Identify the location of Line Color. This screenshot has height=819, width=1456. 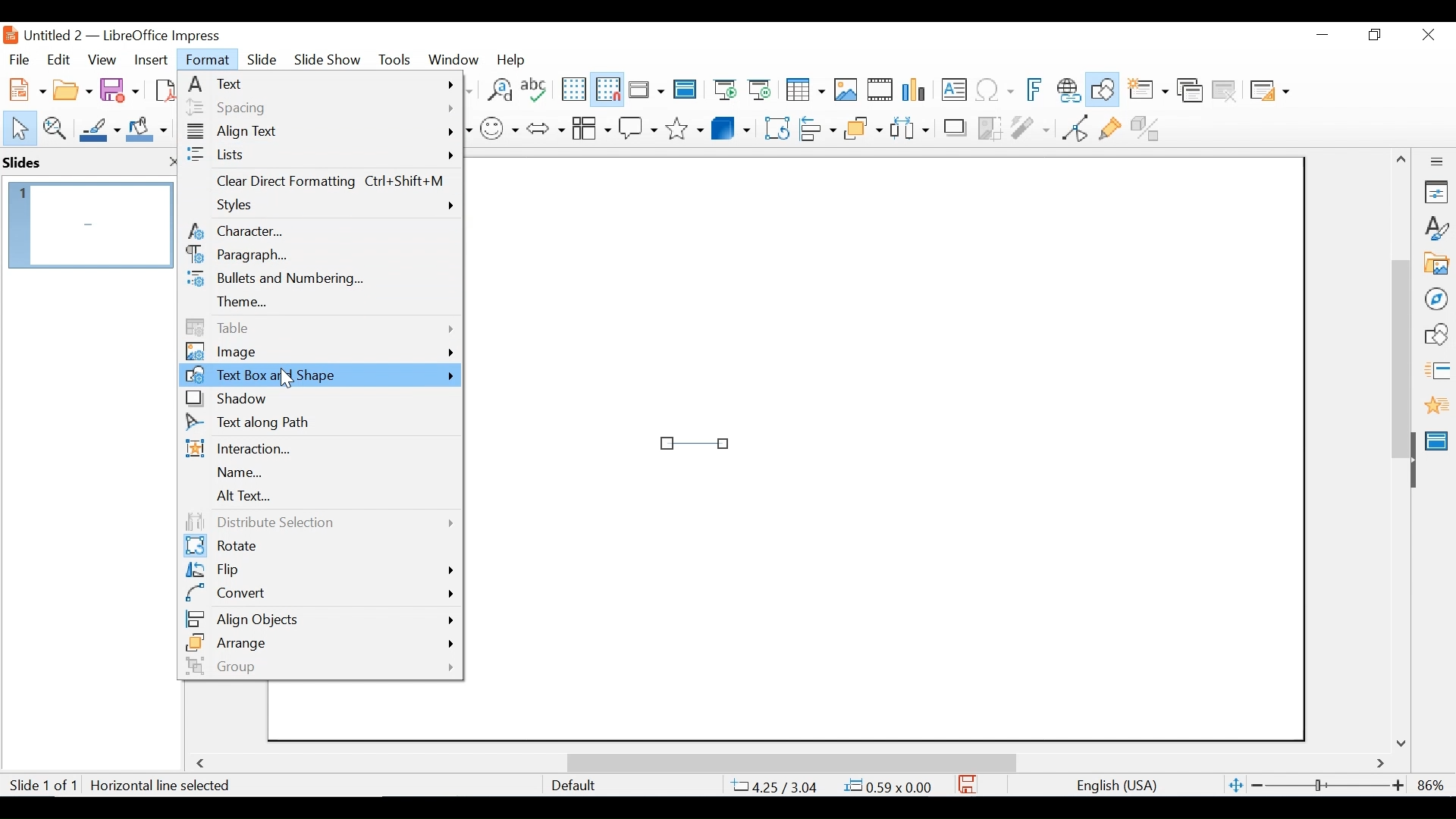
(98, 129).